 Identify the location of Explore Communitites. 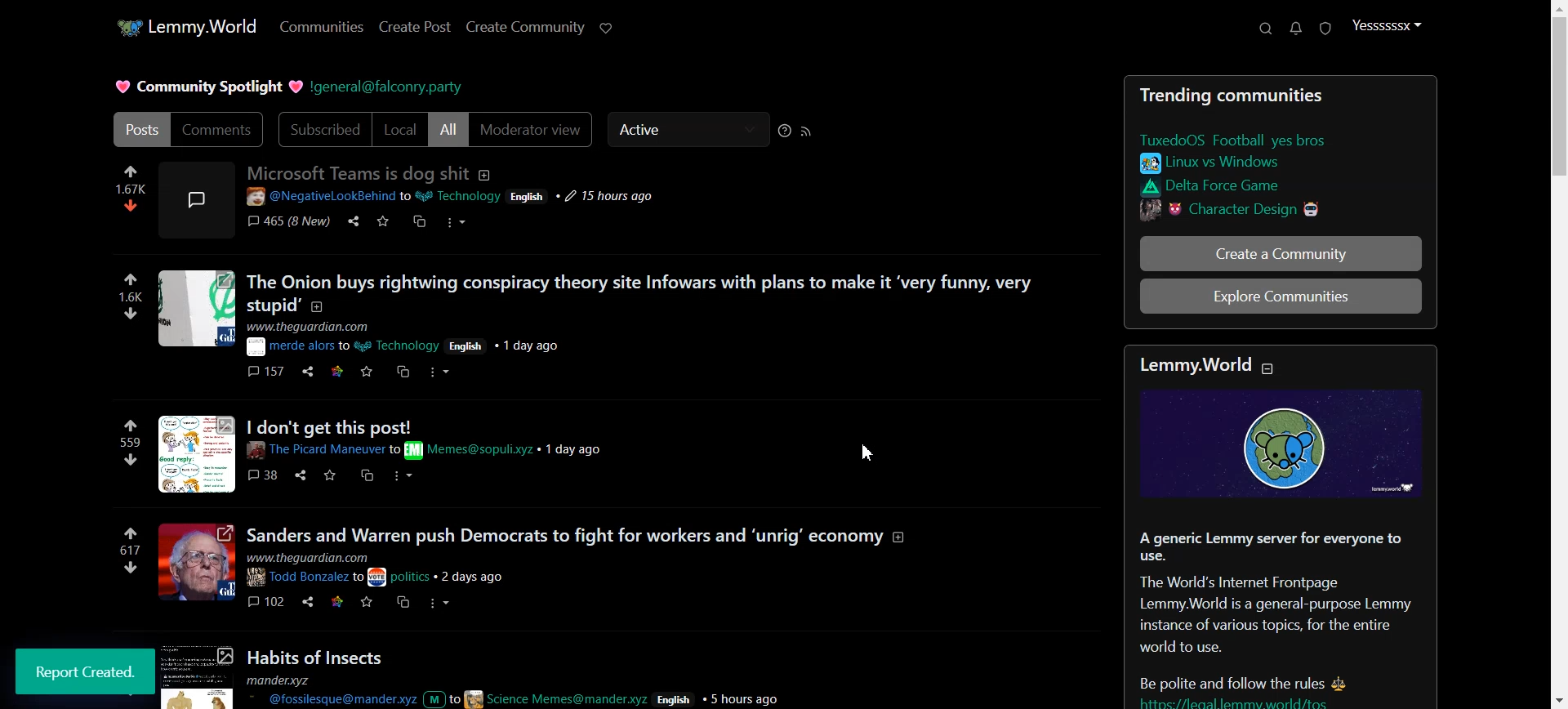
(1281, 297).